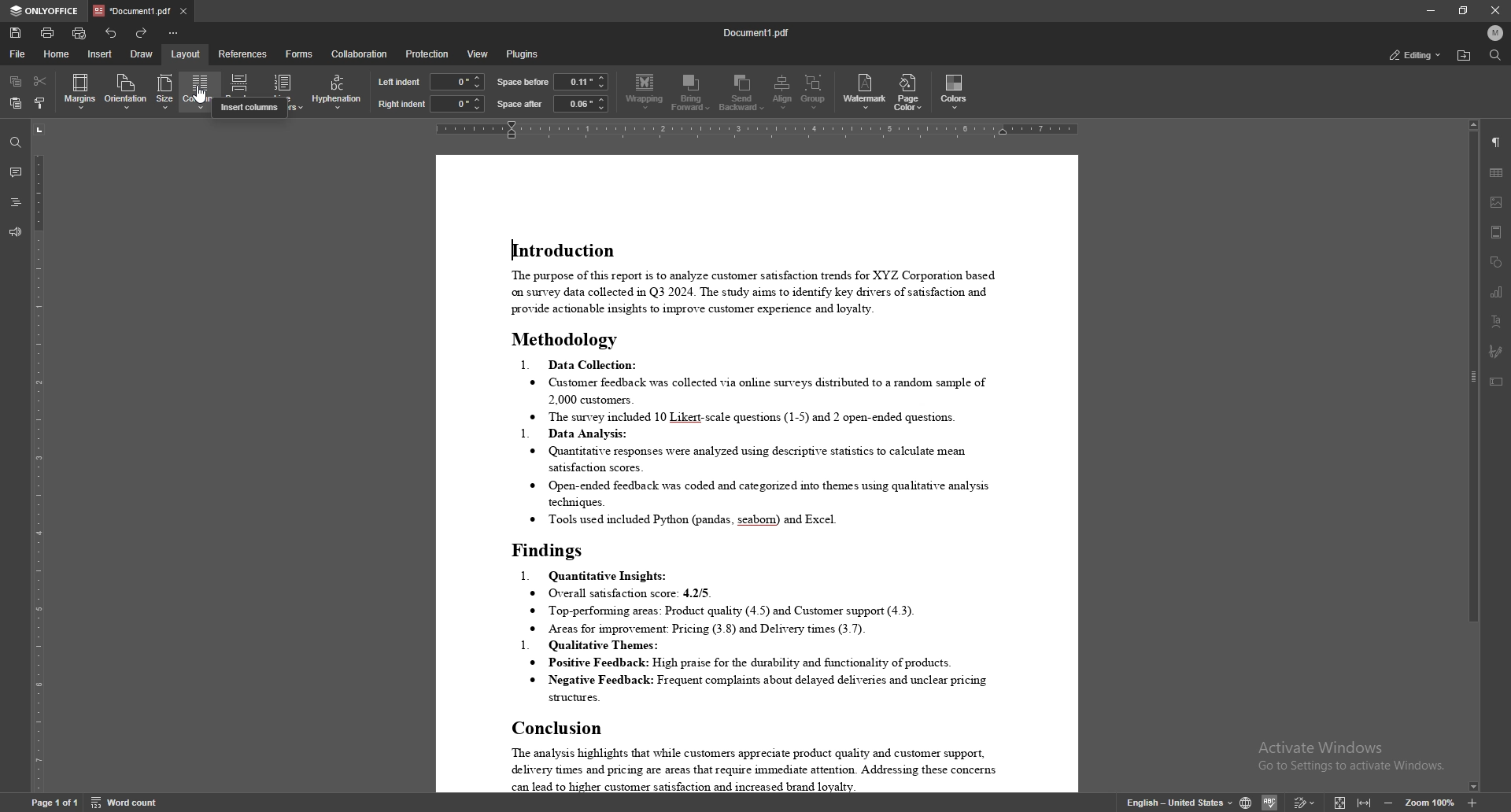 This screenshot has width=1511, height=812. I want to click on shapes, so click(1497, 262).